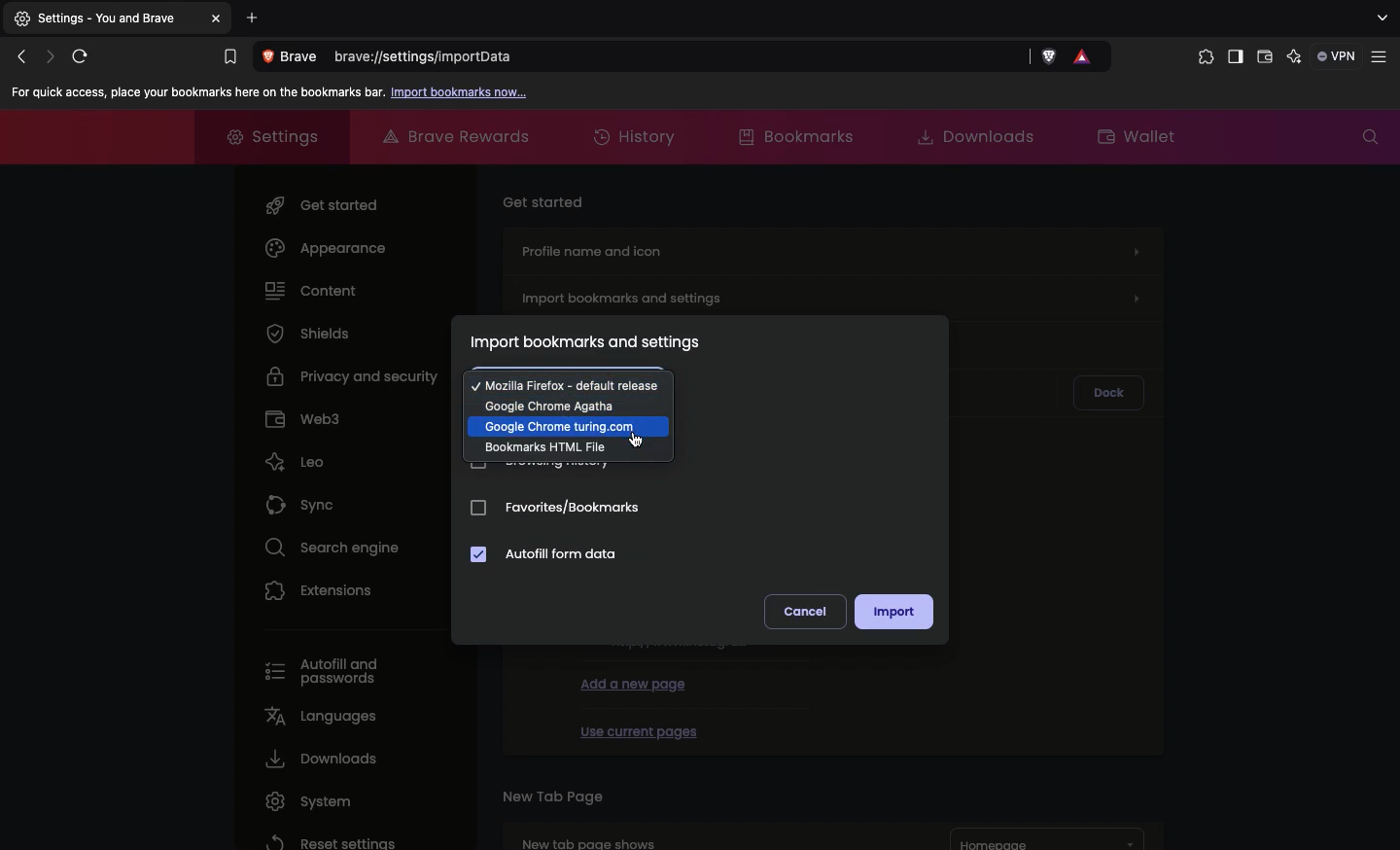 This screenshot has height=850, width=1400. Describe the element at coordinates (318, 759) in the screenshot. I see `Downloads` at that location.